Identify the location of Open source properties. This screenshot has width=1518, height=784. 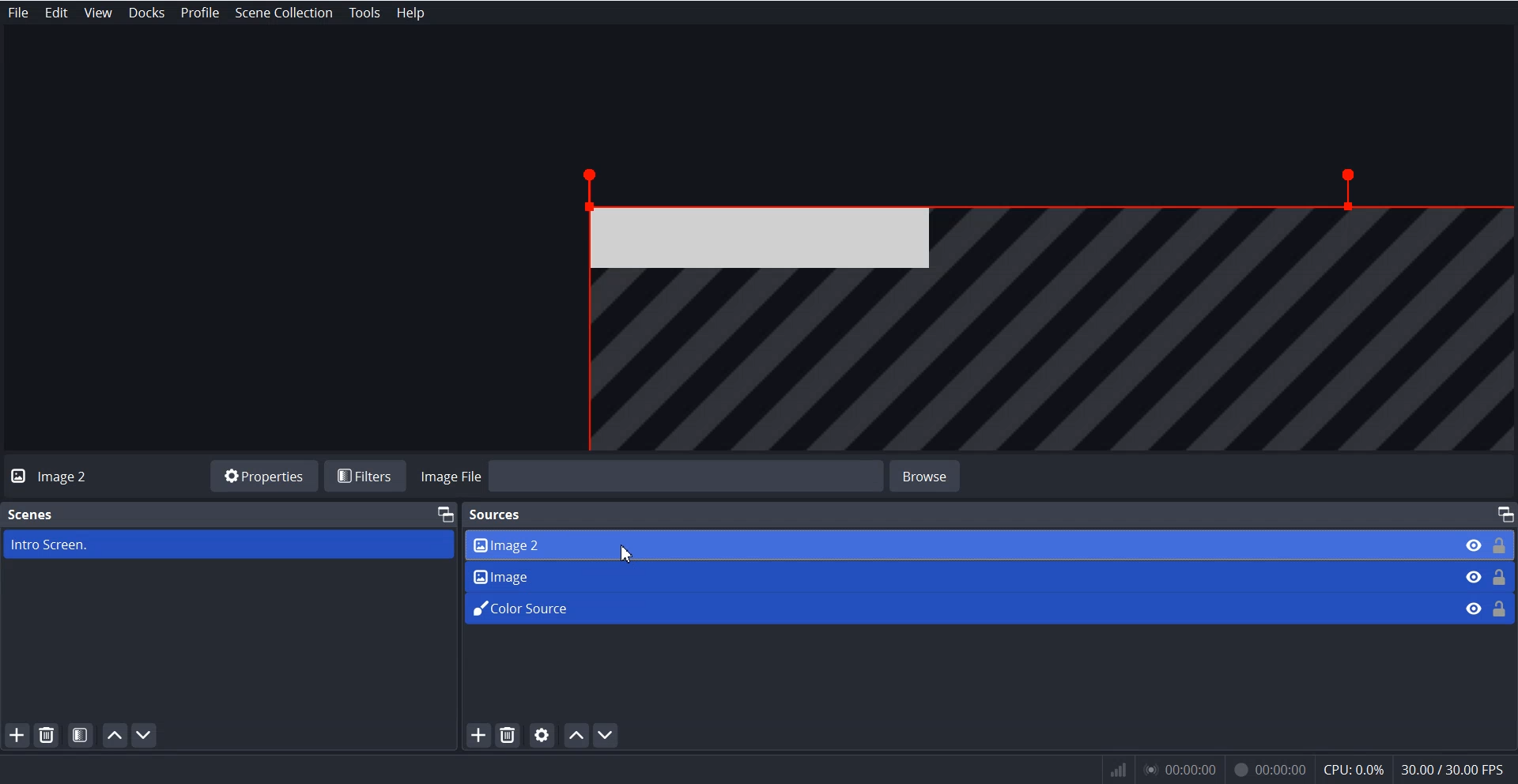
(542, 735).